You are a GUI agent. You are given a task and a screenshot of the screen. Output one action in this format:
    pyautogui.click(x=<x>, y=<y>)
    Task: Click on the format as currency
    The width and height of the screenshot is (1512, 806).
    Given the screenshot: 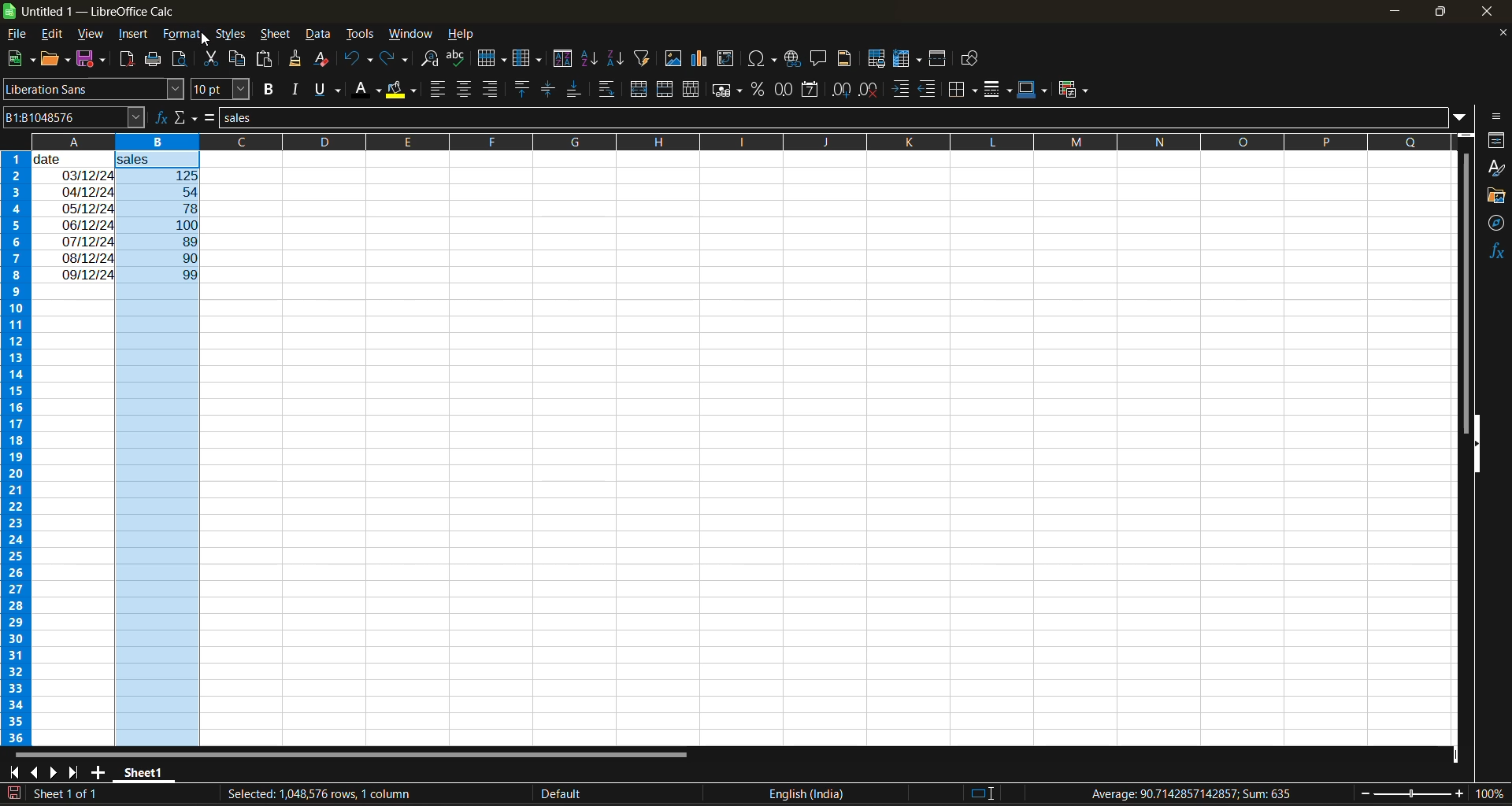 What is the action you would take?
    pyautogui.click(x=727, y=93)
    